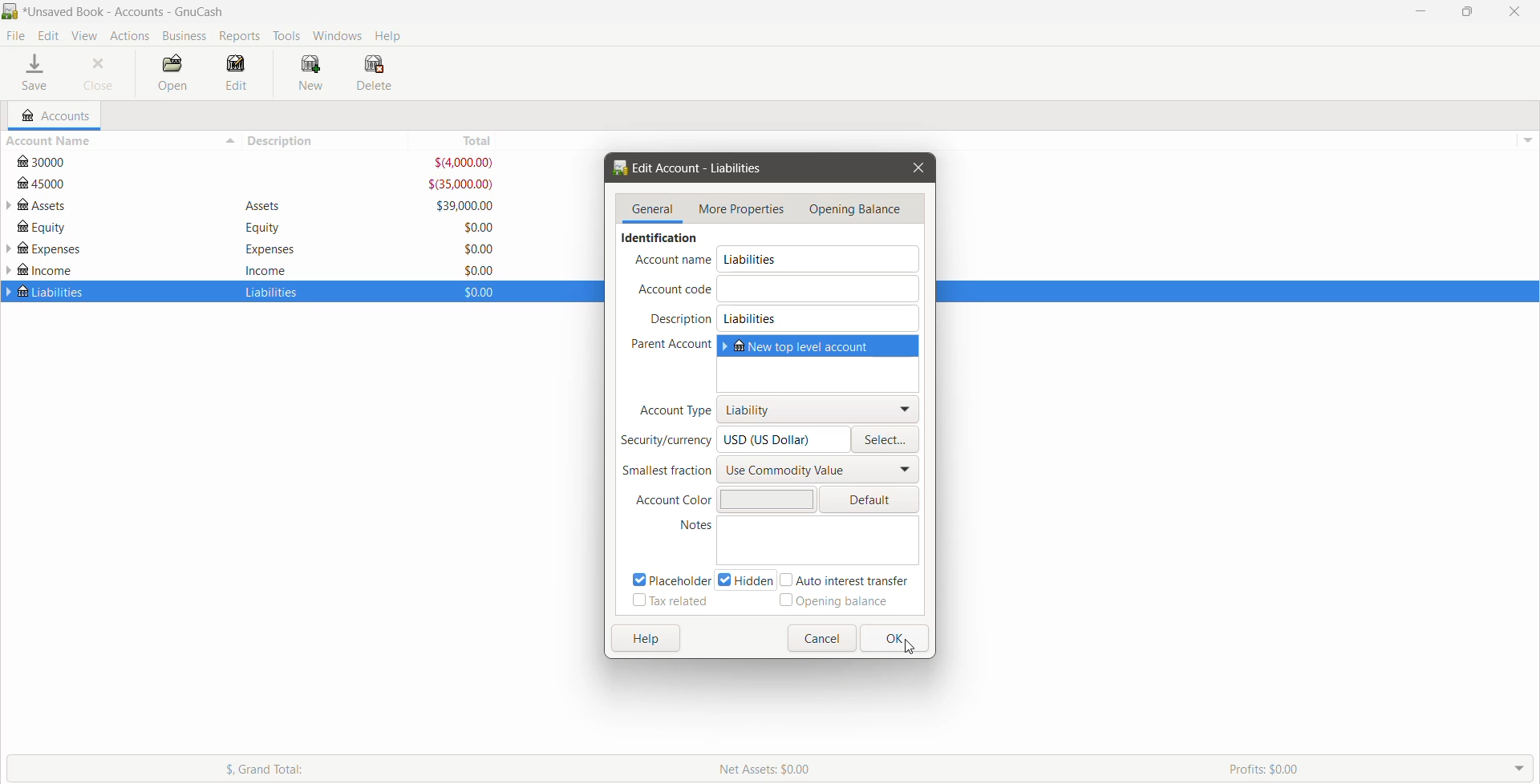 This screenshot has height=784, width=1540. I want to click on Net Assets, so click(963, 769).